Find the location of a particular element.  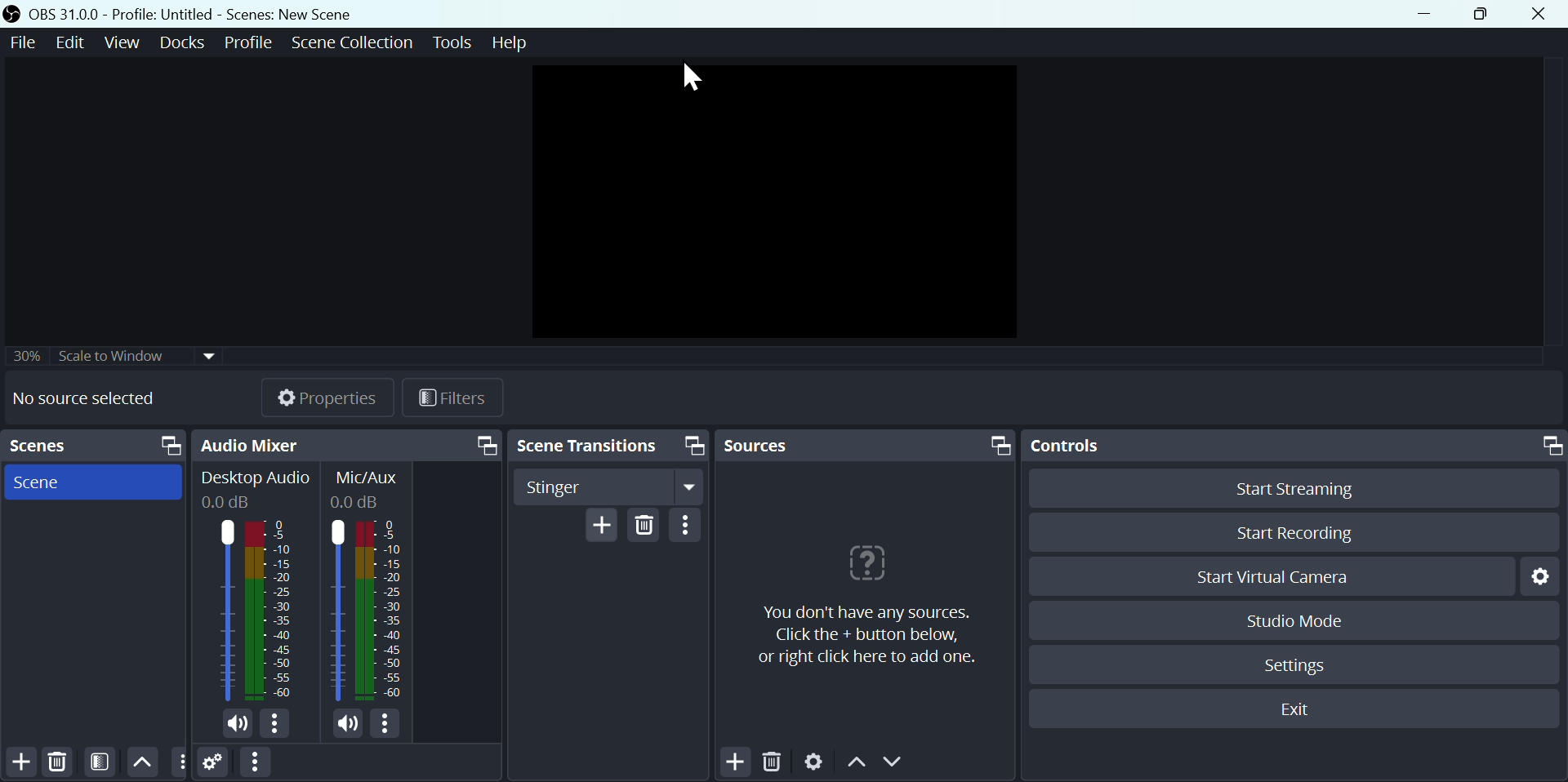

help is located at coordinates (862, 600).